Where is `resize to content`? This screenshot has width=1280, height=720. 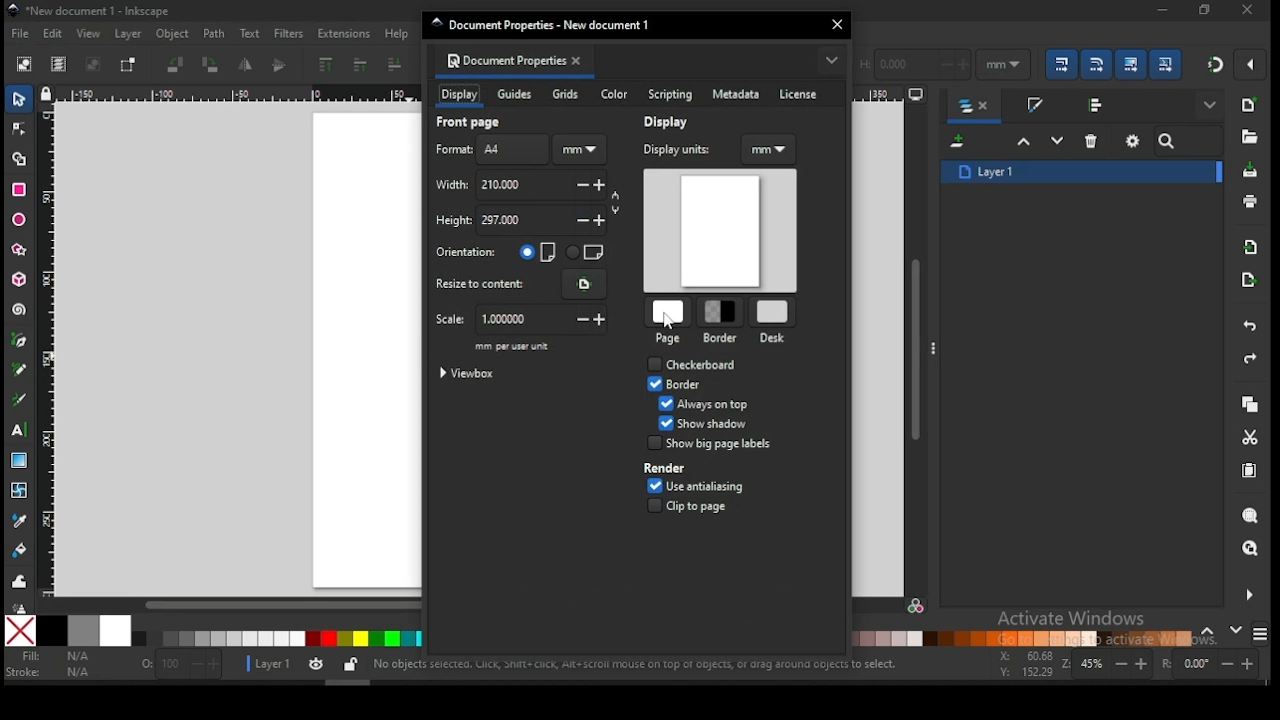 resize to content is located at coordinates (520, 283).